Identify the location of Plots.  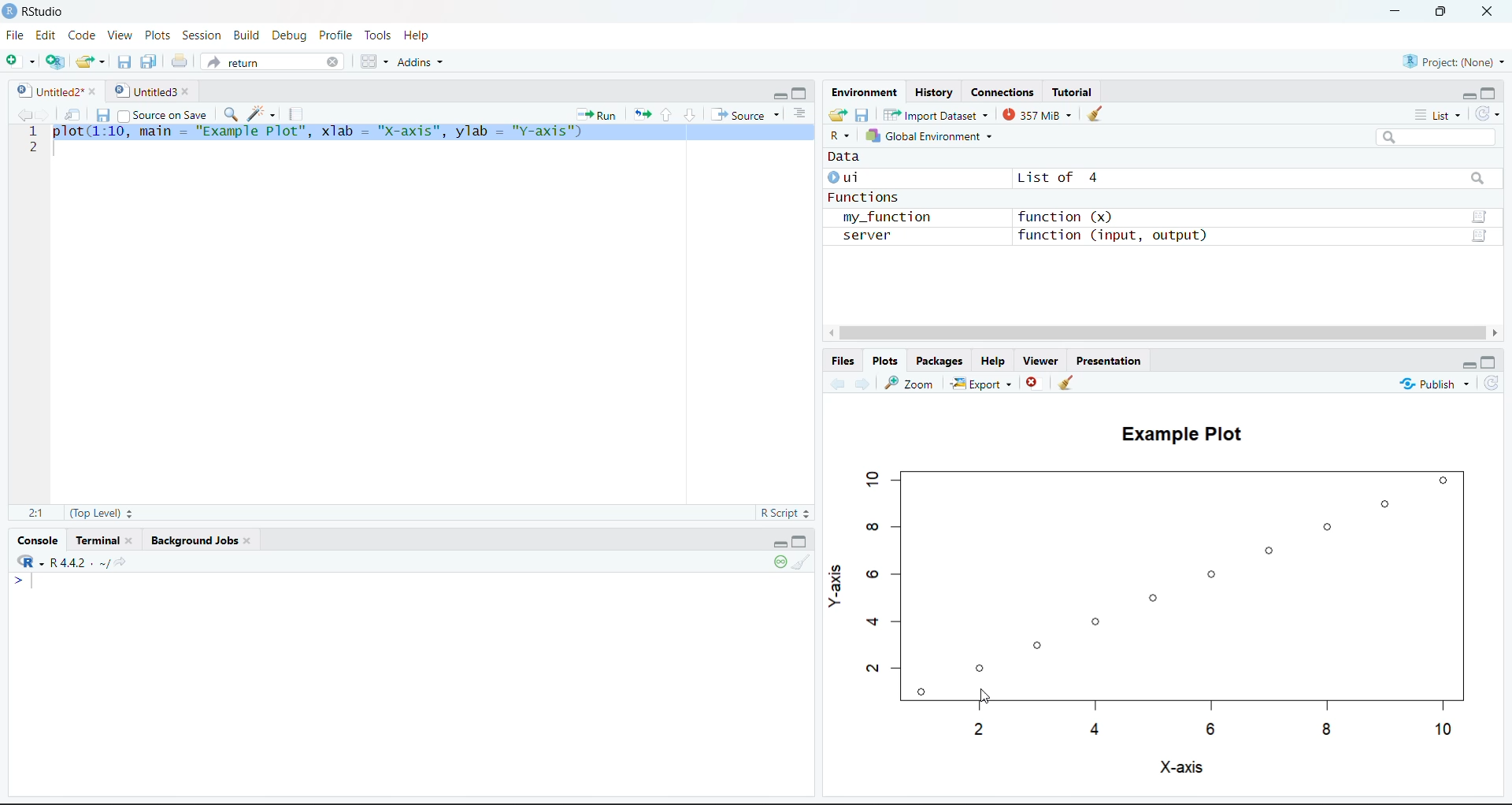
(886, 361).